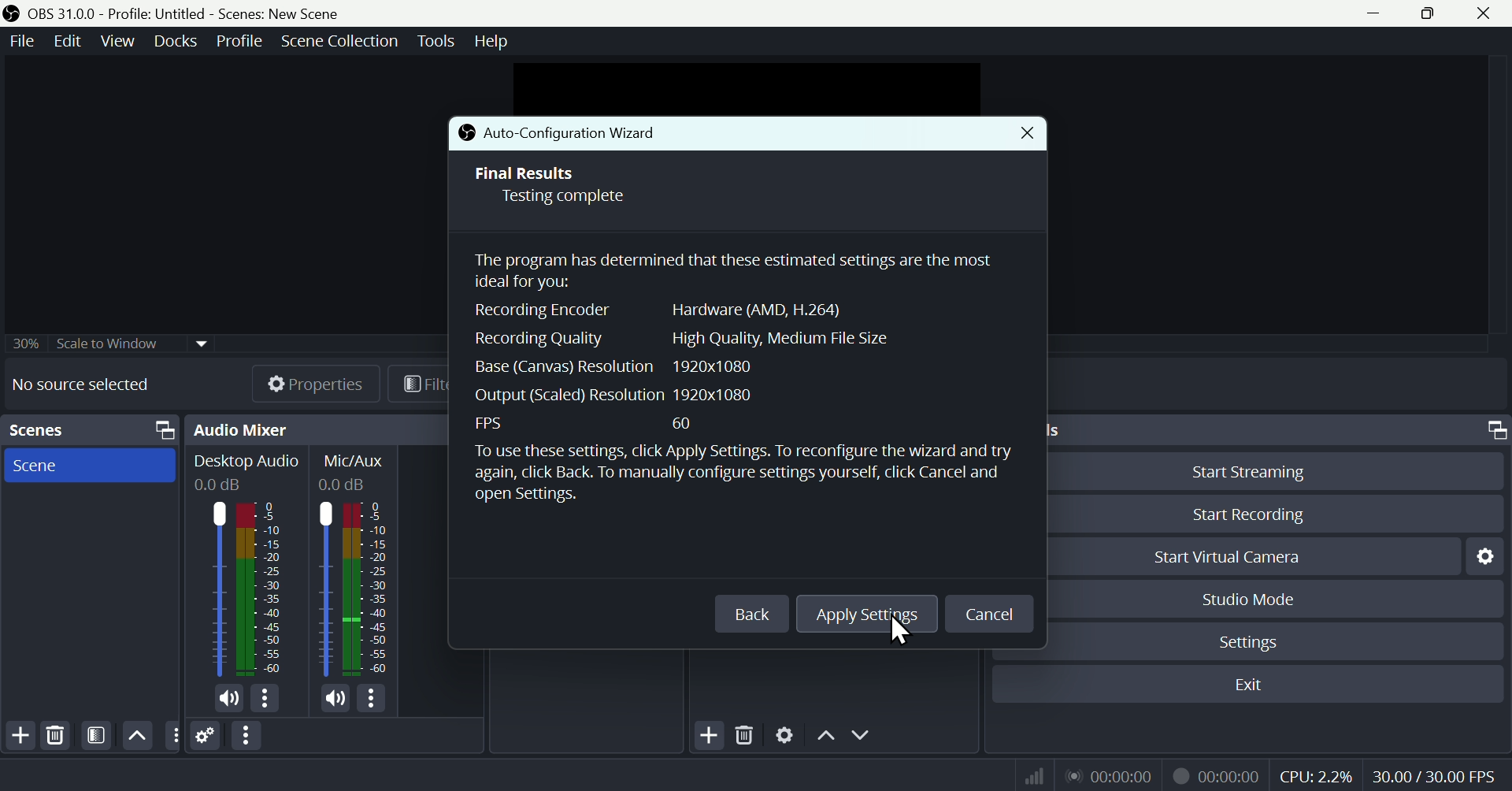 This screenshot has height=791, width=1512. What do you see at coordinates (356, 565) in the screenshot?
I see `Mic/Aux` at bounding box center [356, 565].